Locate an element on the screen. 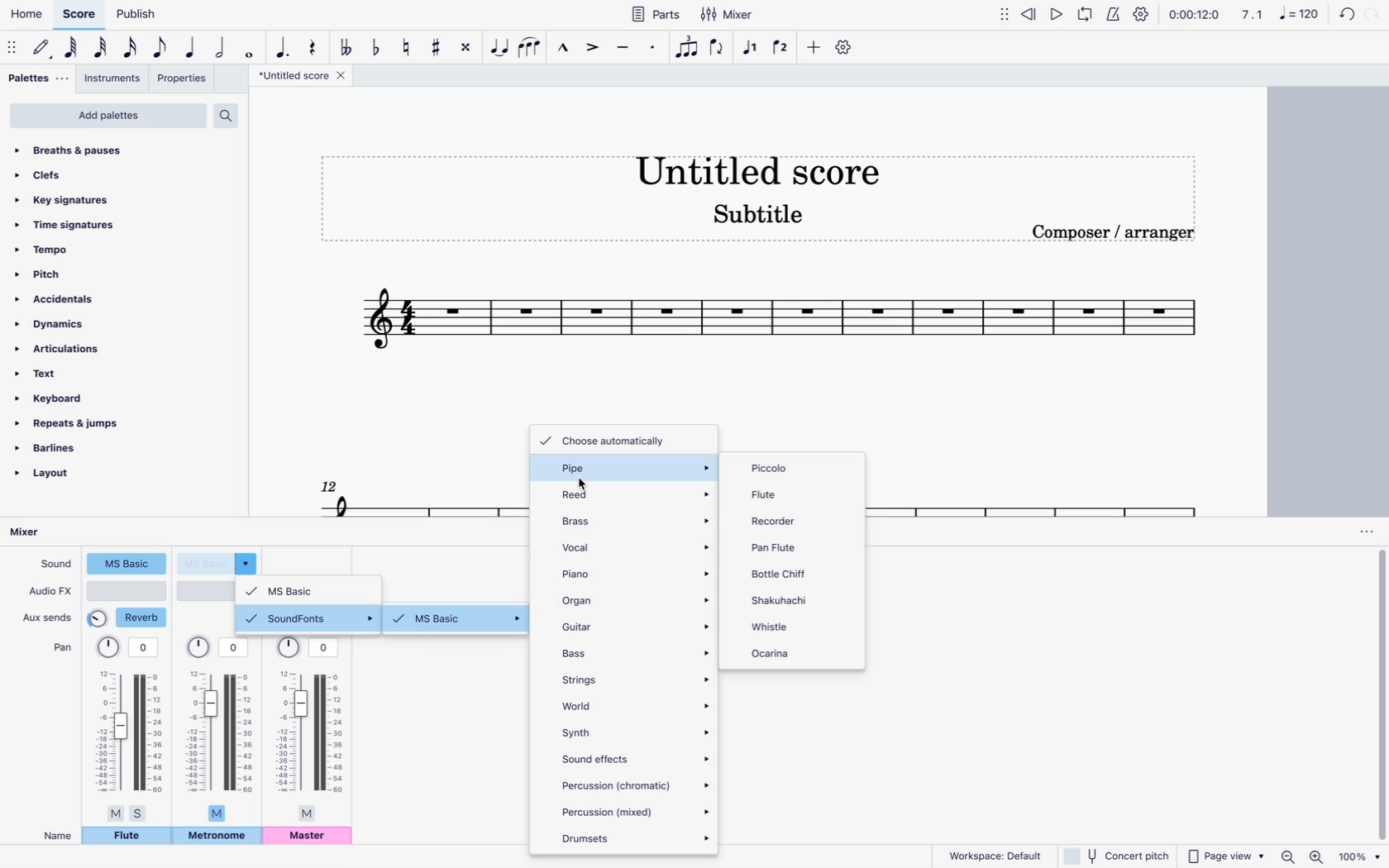  accidentals is located at coordinates (91, 298).